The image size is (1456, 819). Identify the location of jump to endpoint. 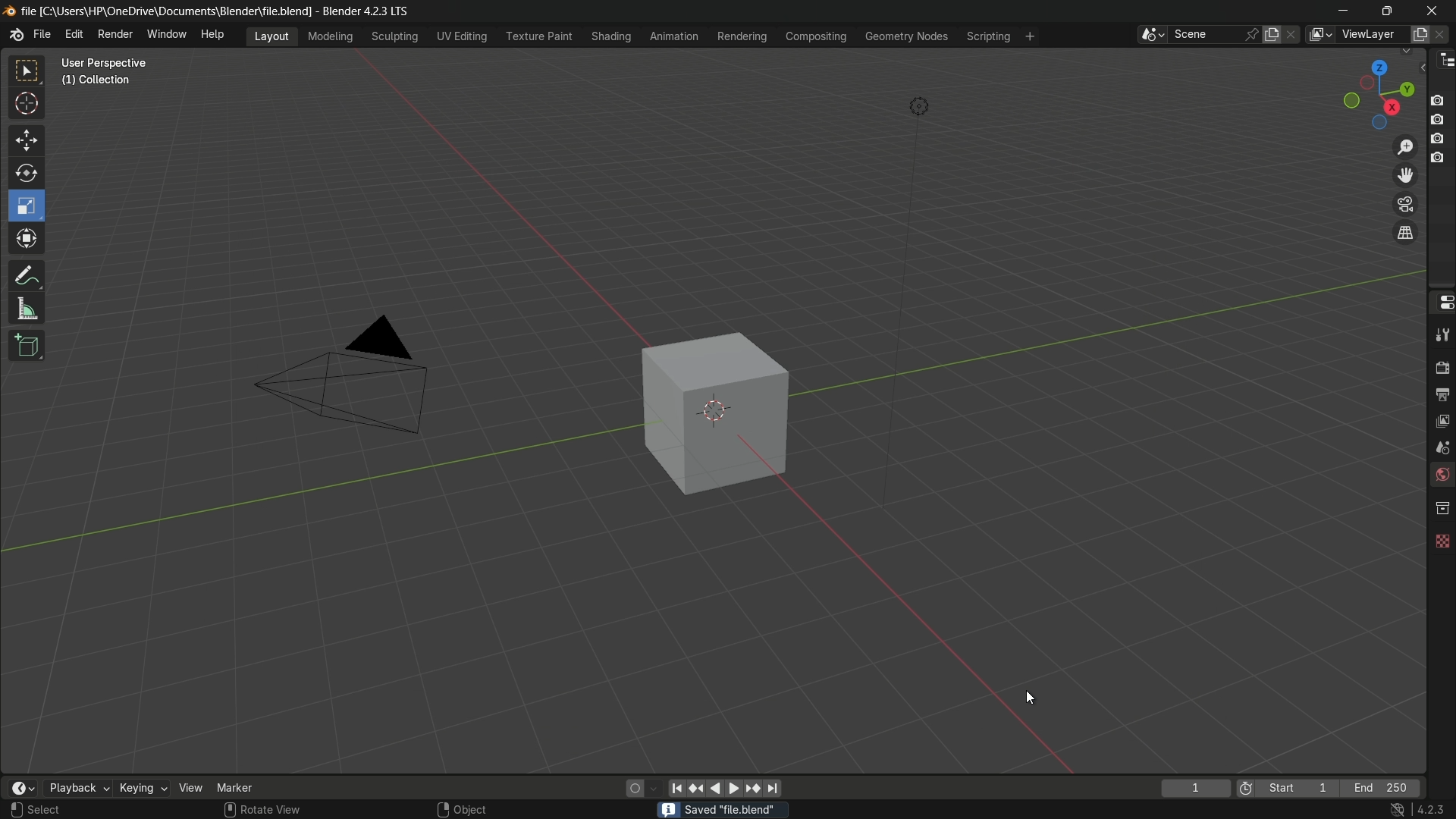
(676, 787).